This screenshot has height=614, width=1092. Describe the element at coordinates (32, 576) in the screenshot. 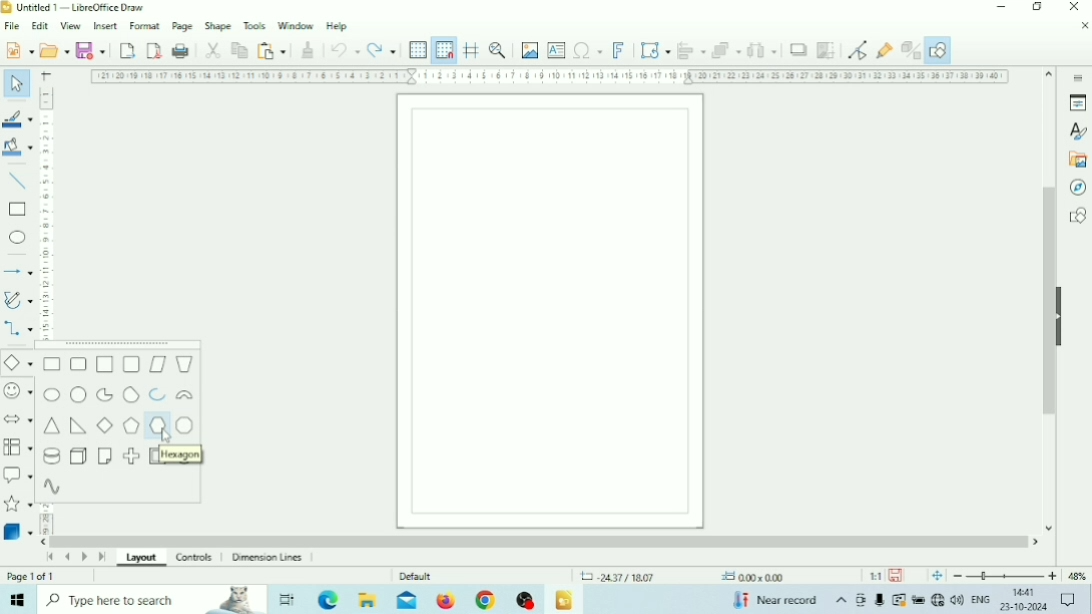

I see `Page number` at that location.